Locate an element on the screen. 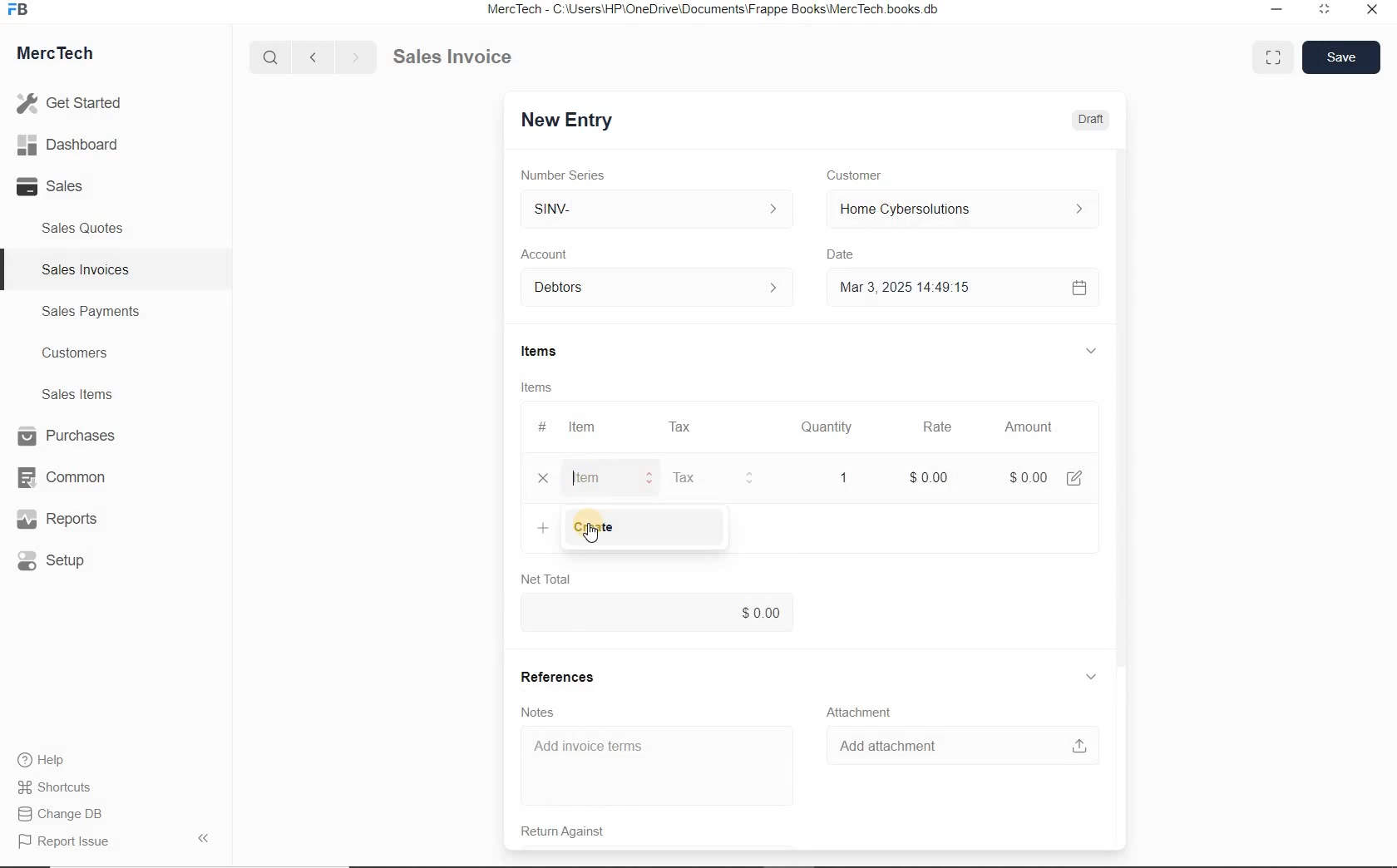 This screenshot has height=868, width=1397. Shortcuts is located at coordinates (62, 788).